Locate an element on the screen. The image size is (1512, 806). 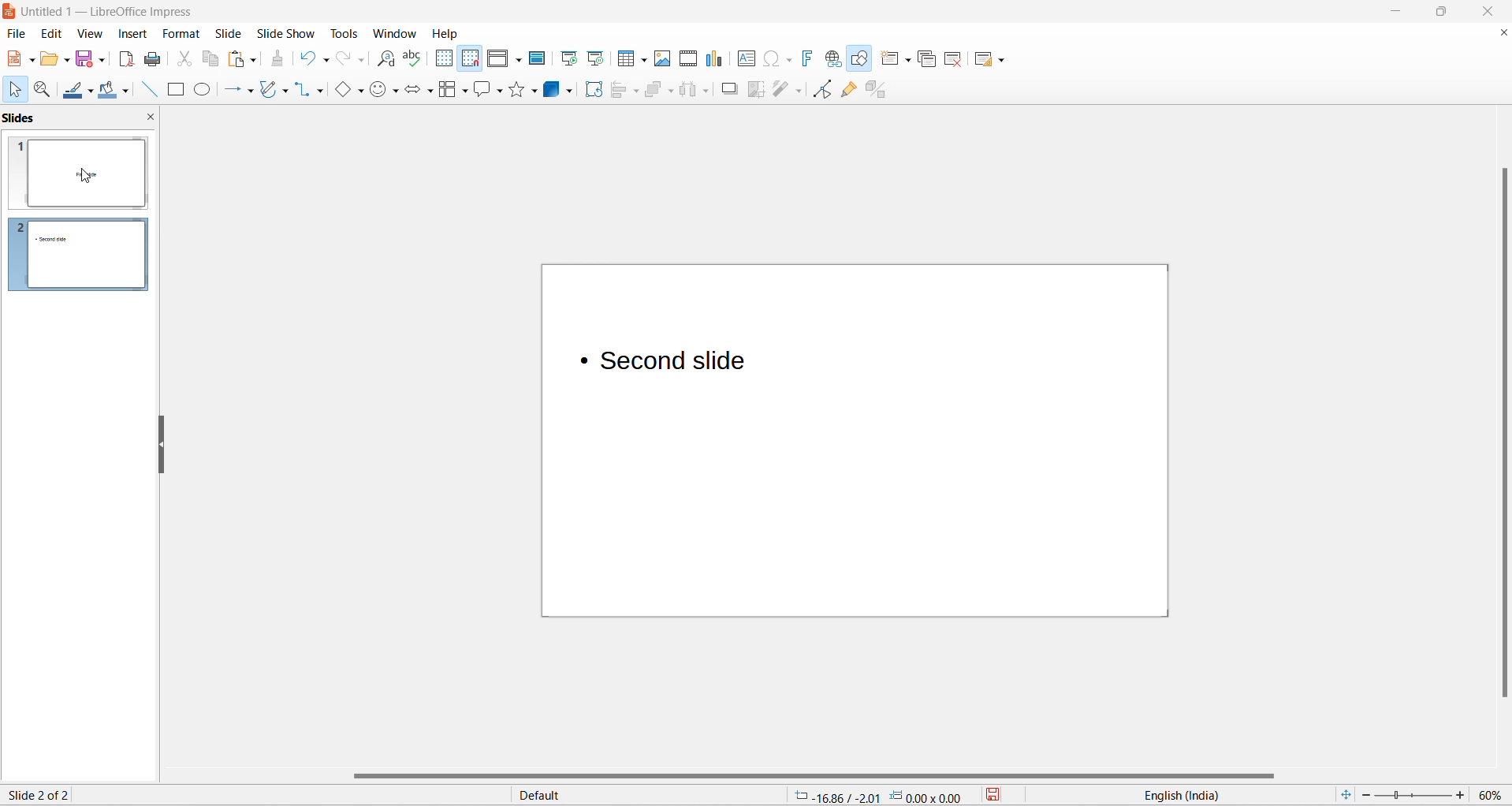
open options is located at coordinates (67, 58).